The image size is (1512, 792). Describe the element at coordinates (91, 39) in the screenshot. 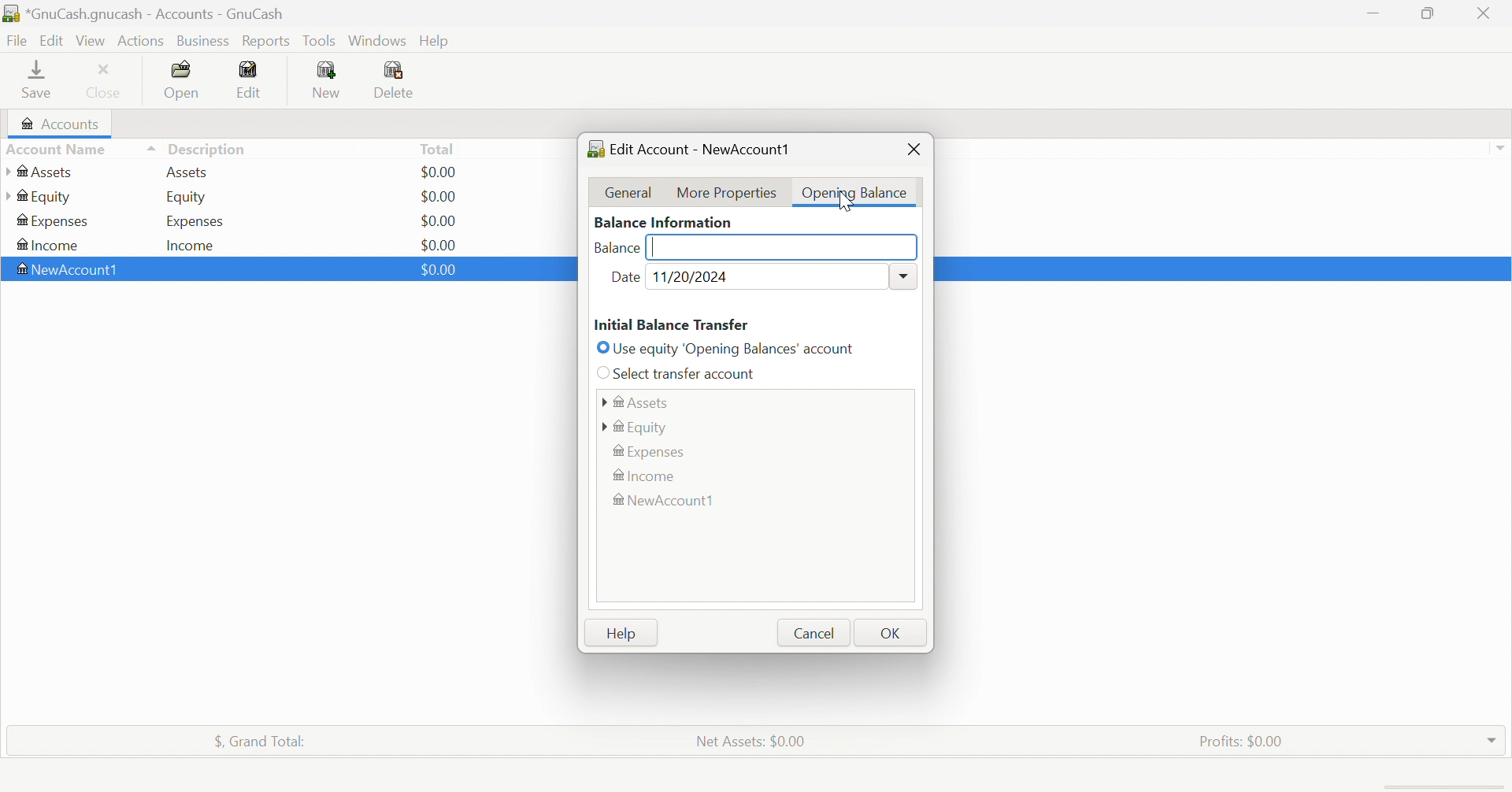

I see `View` at that location.